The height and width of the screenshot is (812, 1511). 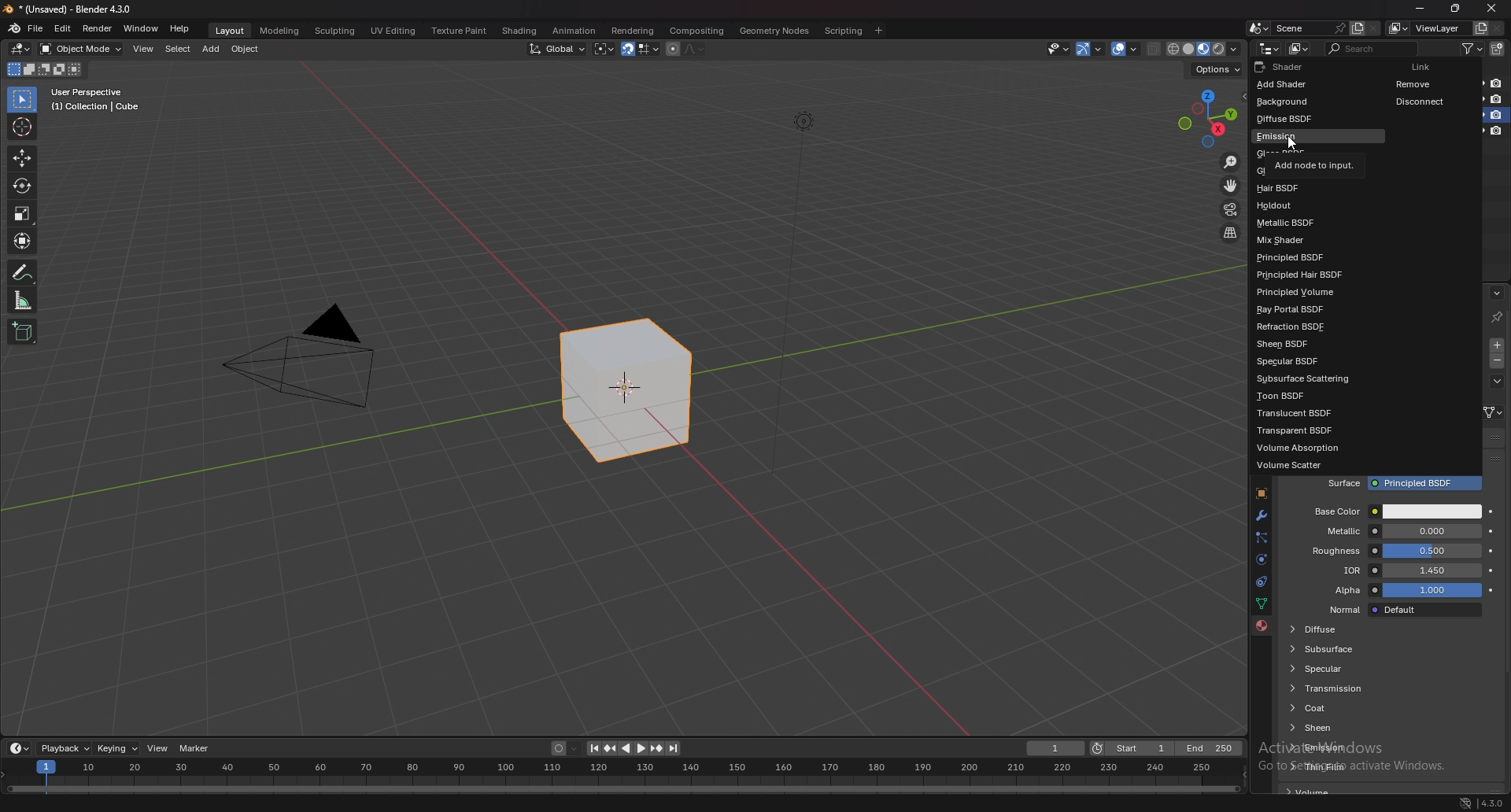 What do you see at coordinates (1300, 49) in the screenshot?
I see `display mode` at bounding box center [1300, 49].